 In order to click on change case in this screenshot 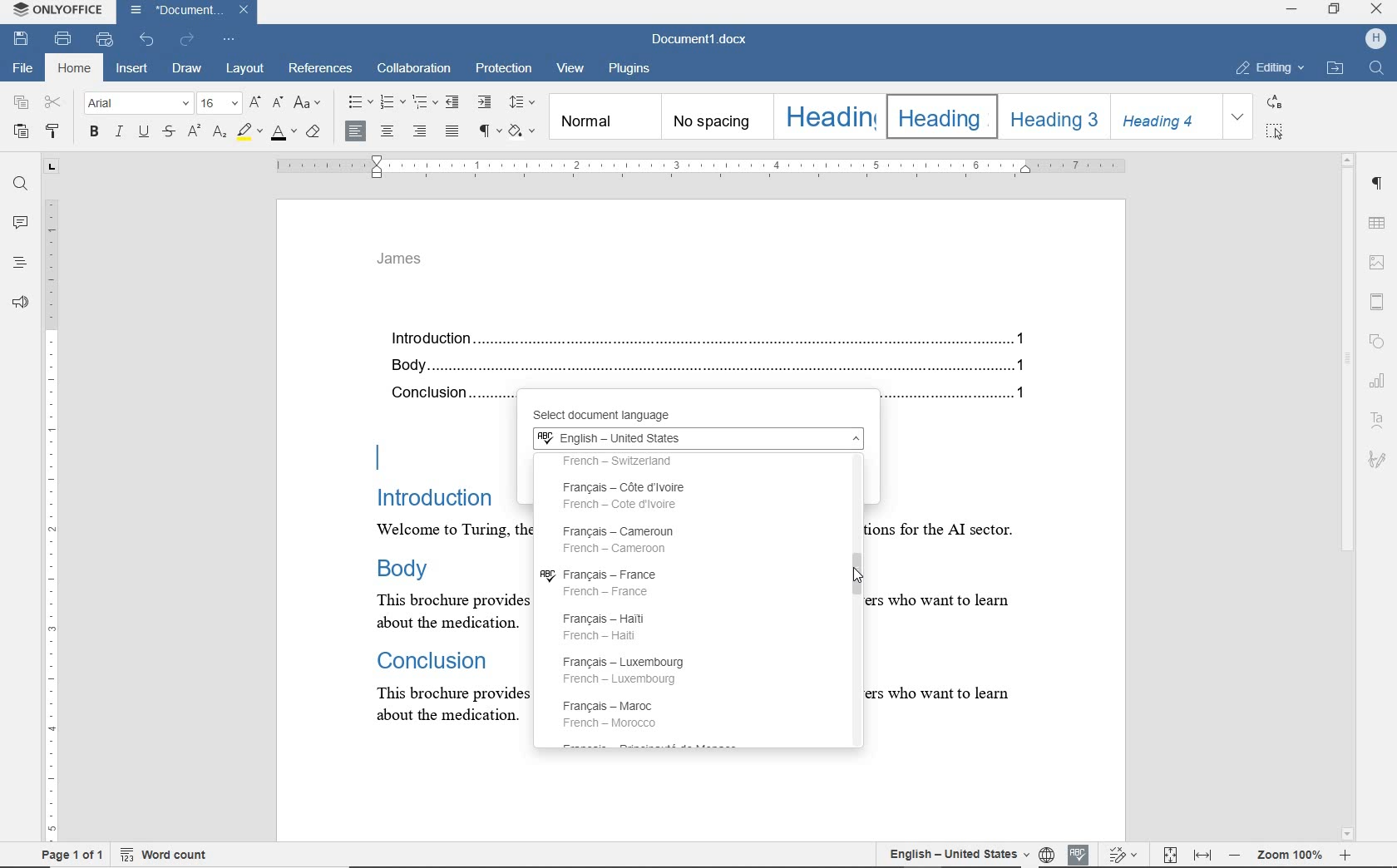, I will do `click(310, 104)`.